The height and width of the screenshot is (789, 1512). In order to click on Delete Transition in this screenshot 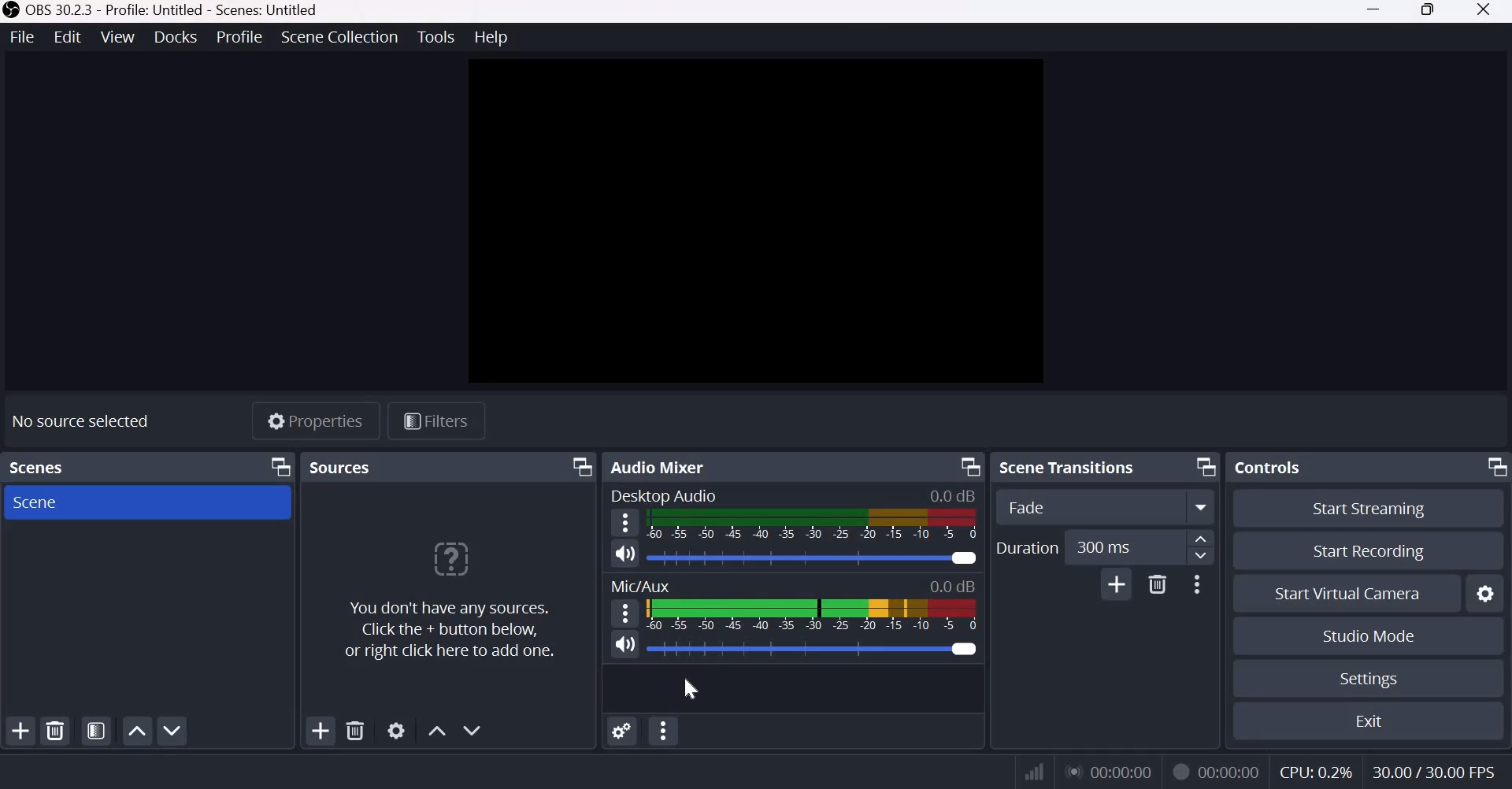, I will do `click(1158, 583)`.